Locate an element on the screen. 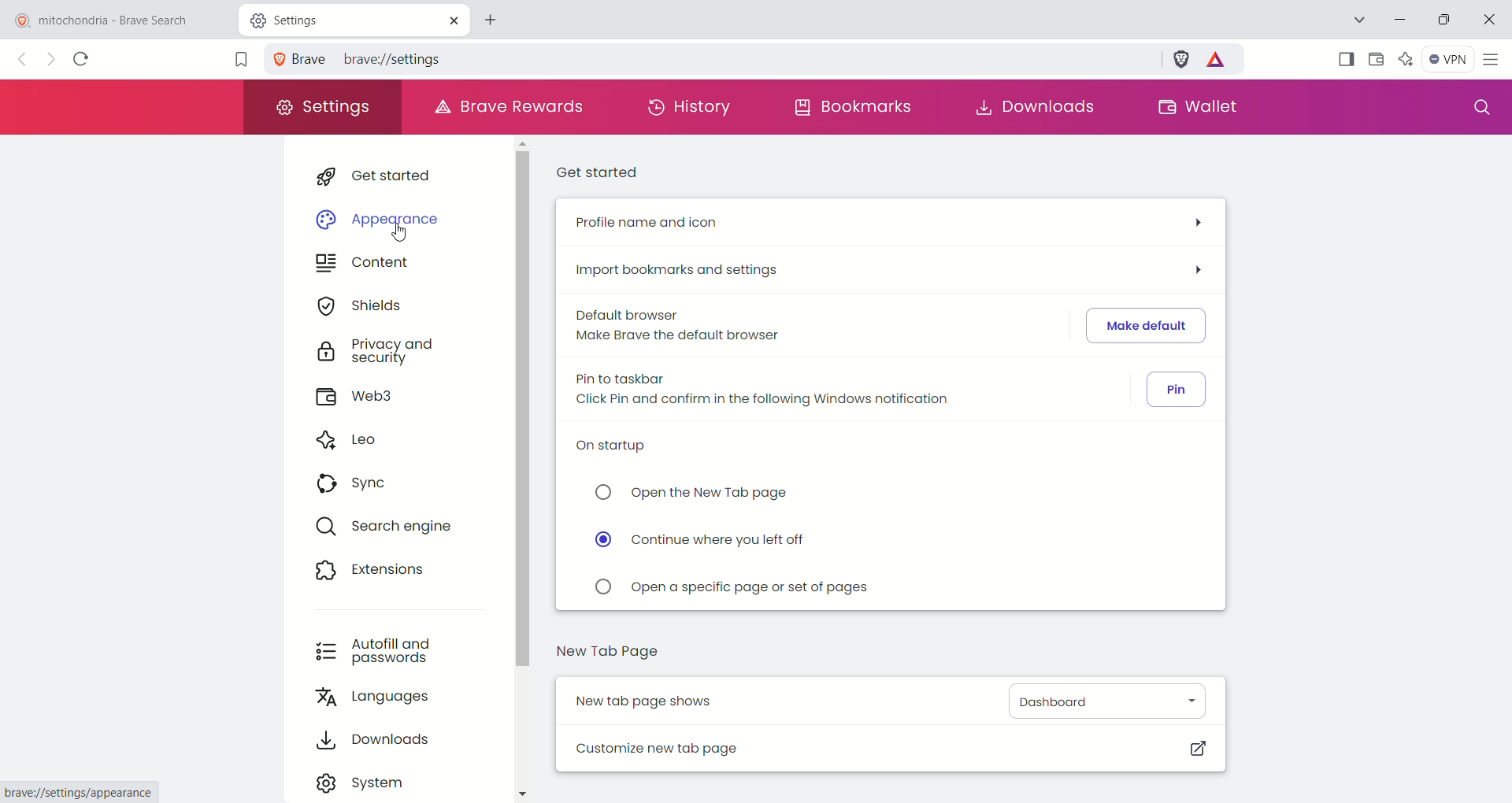 Image resolution: width=1512 pixels, height=803 pixels. minimize is located at coordinates (1397, 22).